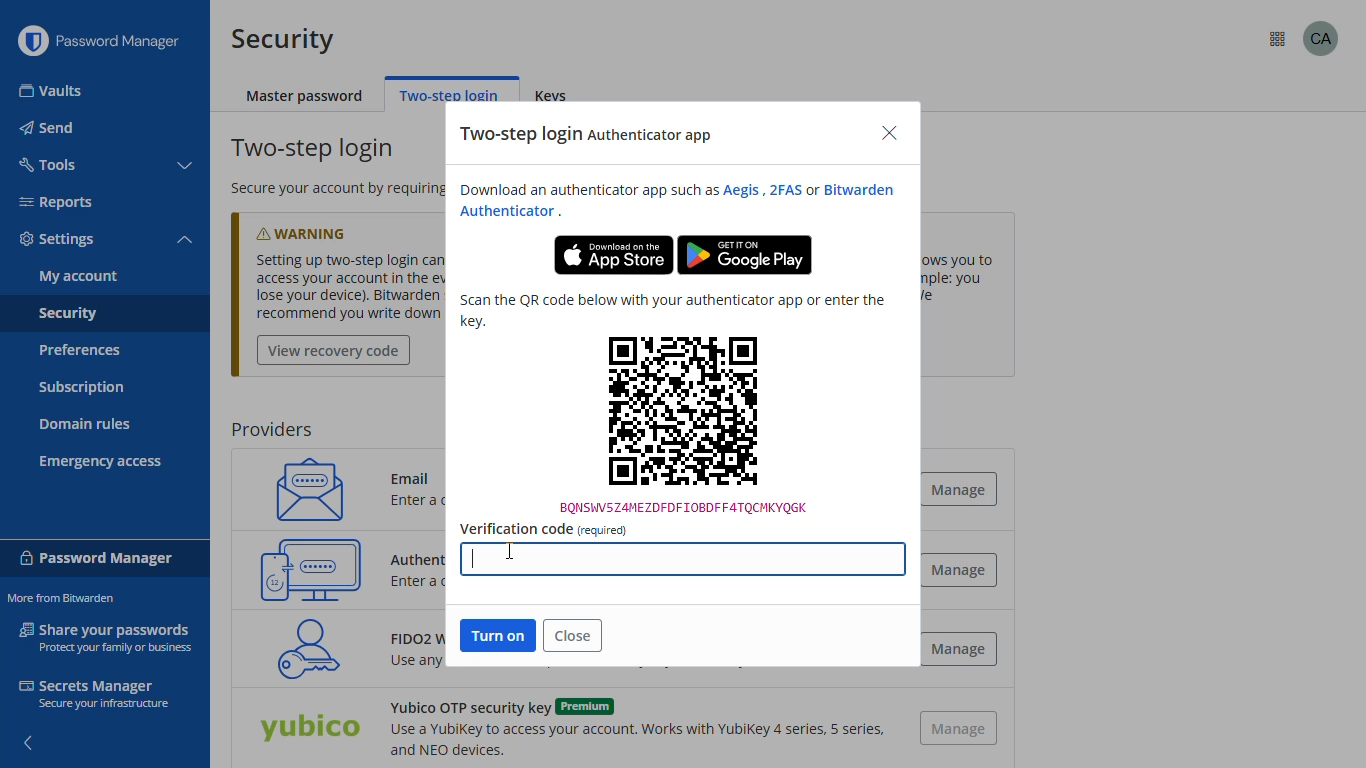 This screenshot has width=1366, height=768. I want to click on warning, so click(321, 229).